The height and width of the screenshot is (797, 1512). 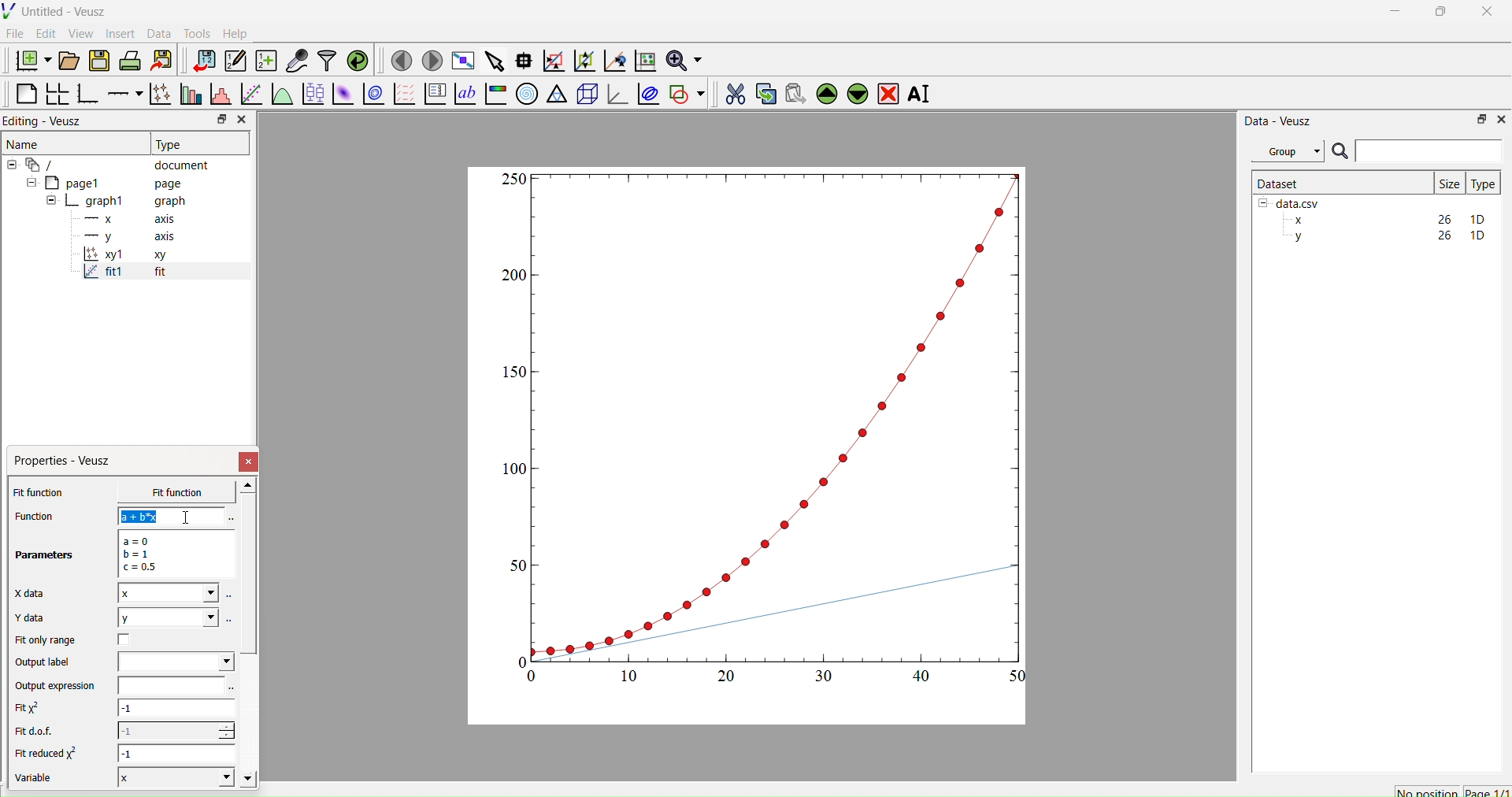 What do you see at coordinates (178, 753) in the screenshot?
I see `-1` at bounding box center [178, 753].